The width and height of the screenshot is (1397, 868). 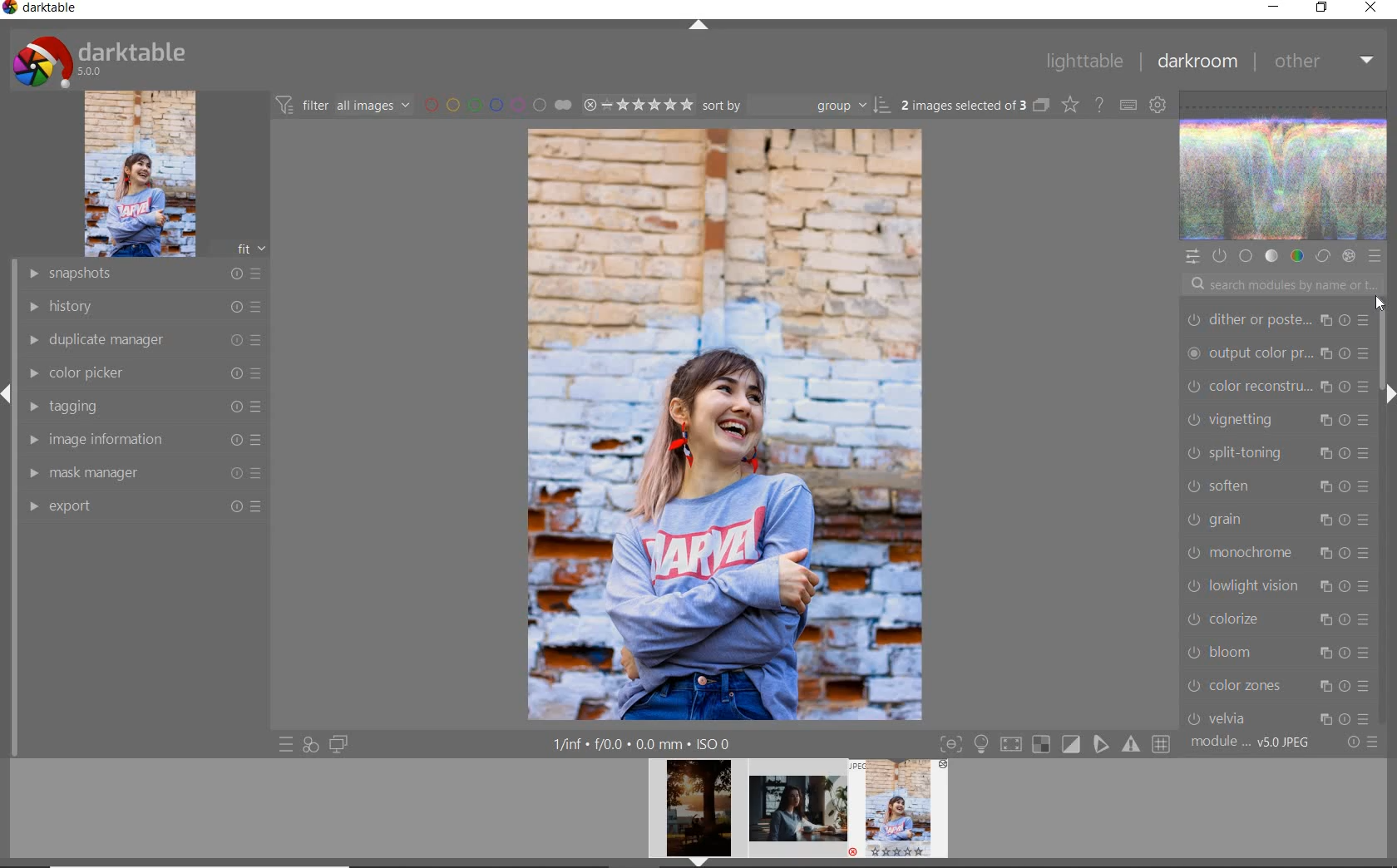 What do you see at coordinates (797, 104) in the screenshot?
I see `SORT` at bounding box center [797, 104].